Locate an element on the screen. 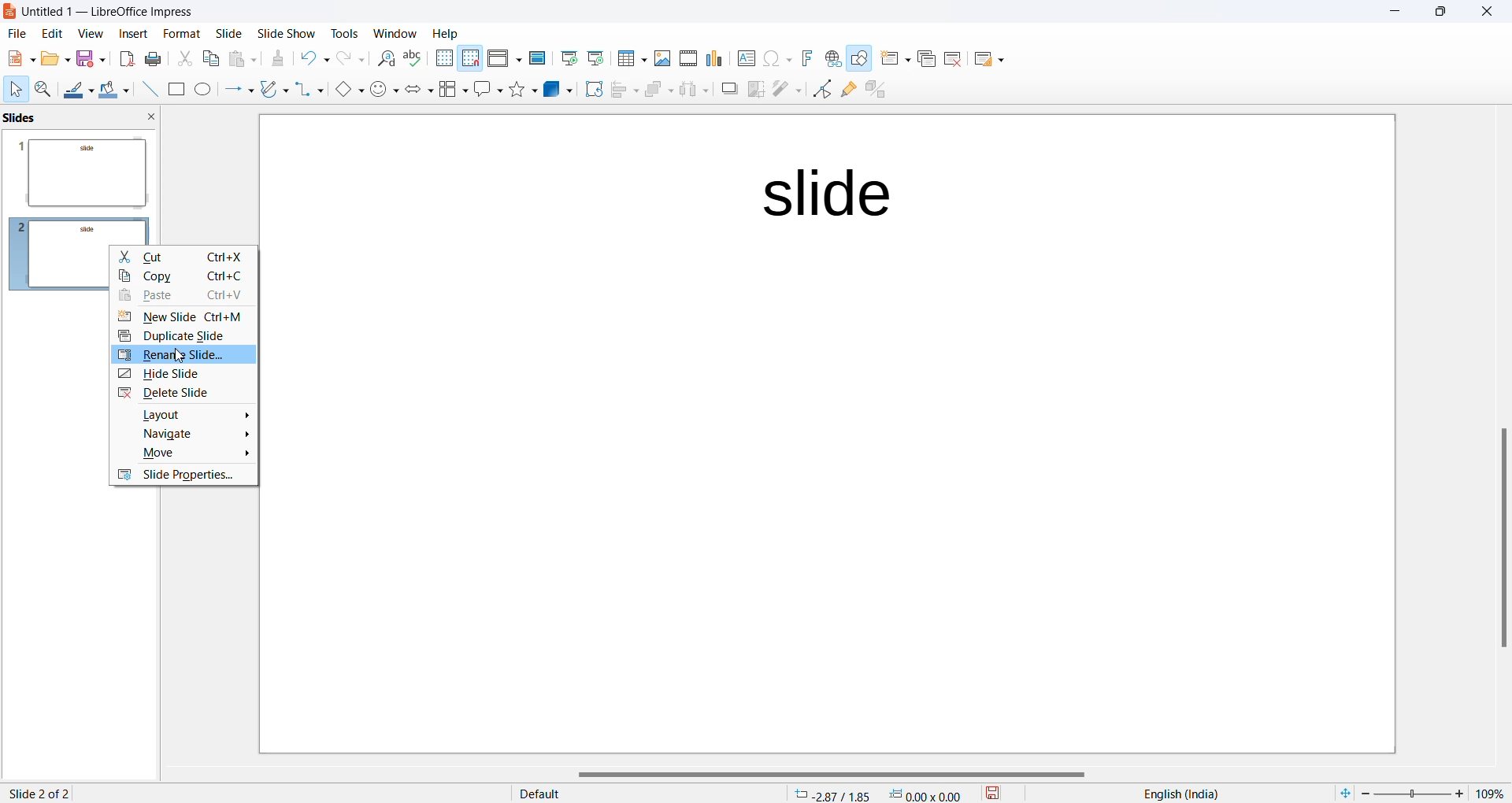 This screenshot has height=803, width=1512. scroll bar is located at coordinates (1501, 540).